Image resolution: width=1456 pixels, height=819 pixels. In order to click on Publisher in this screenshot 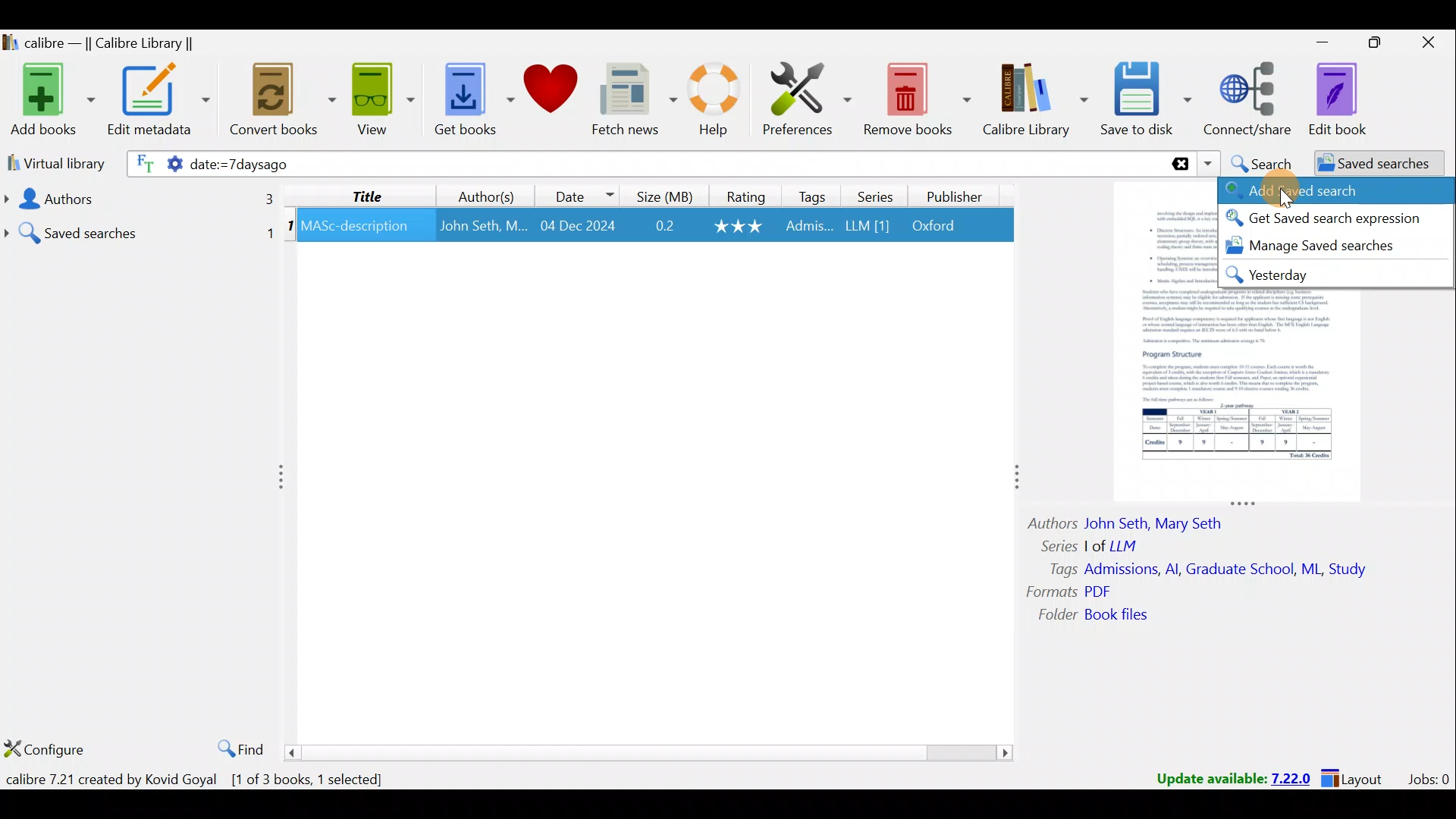, I will do `click(957, 199)`.